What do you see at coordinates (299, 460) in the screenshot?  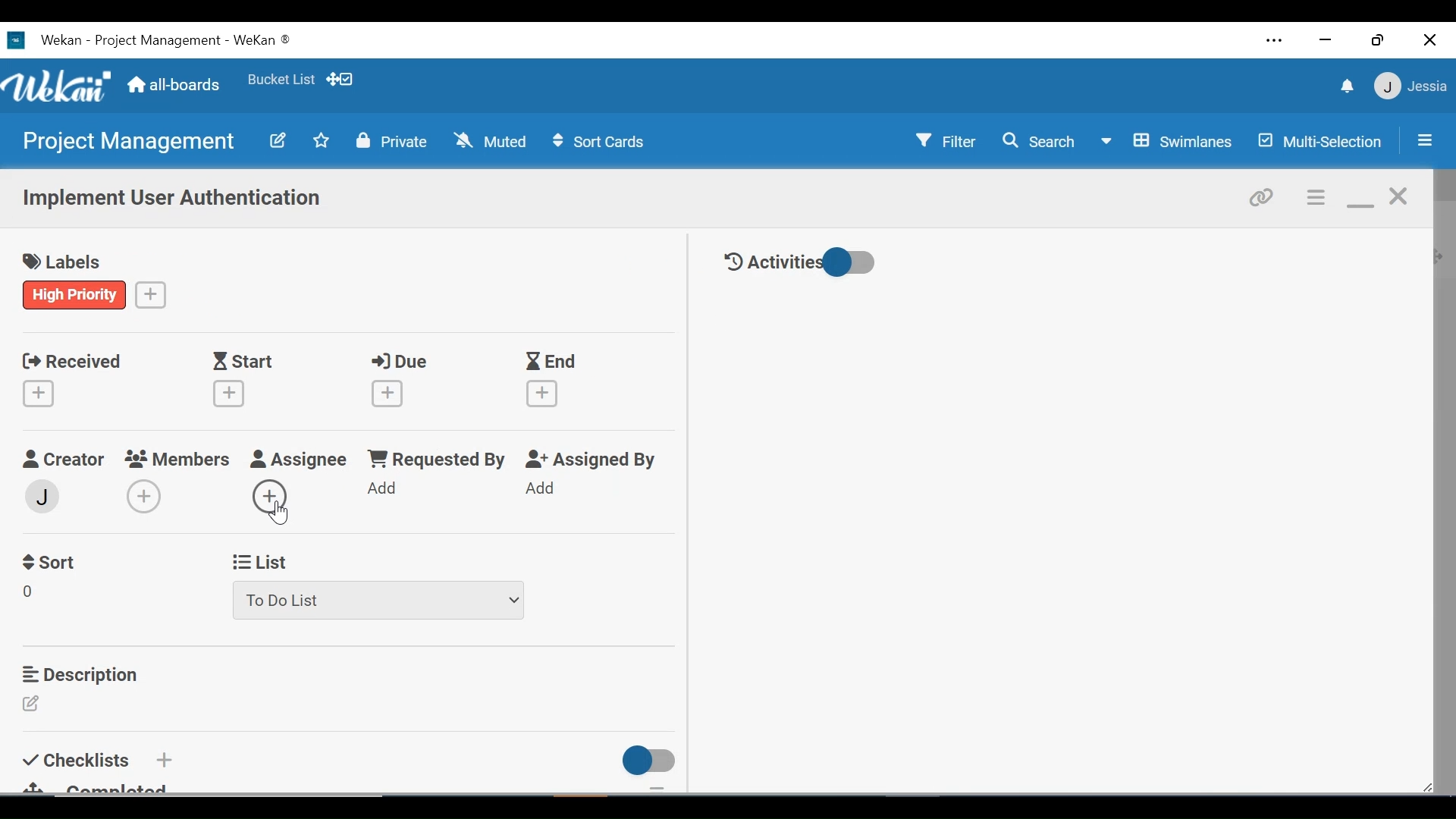 I see `Assignee` at bounding box center [299, 460].